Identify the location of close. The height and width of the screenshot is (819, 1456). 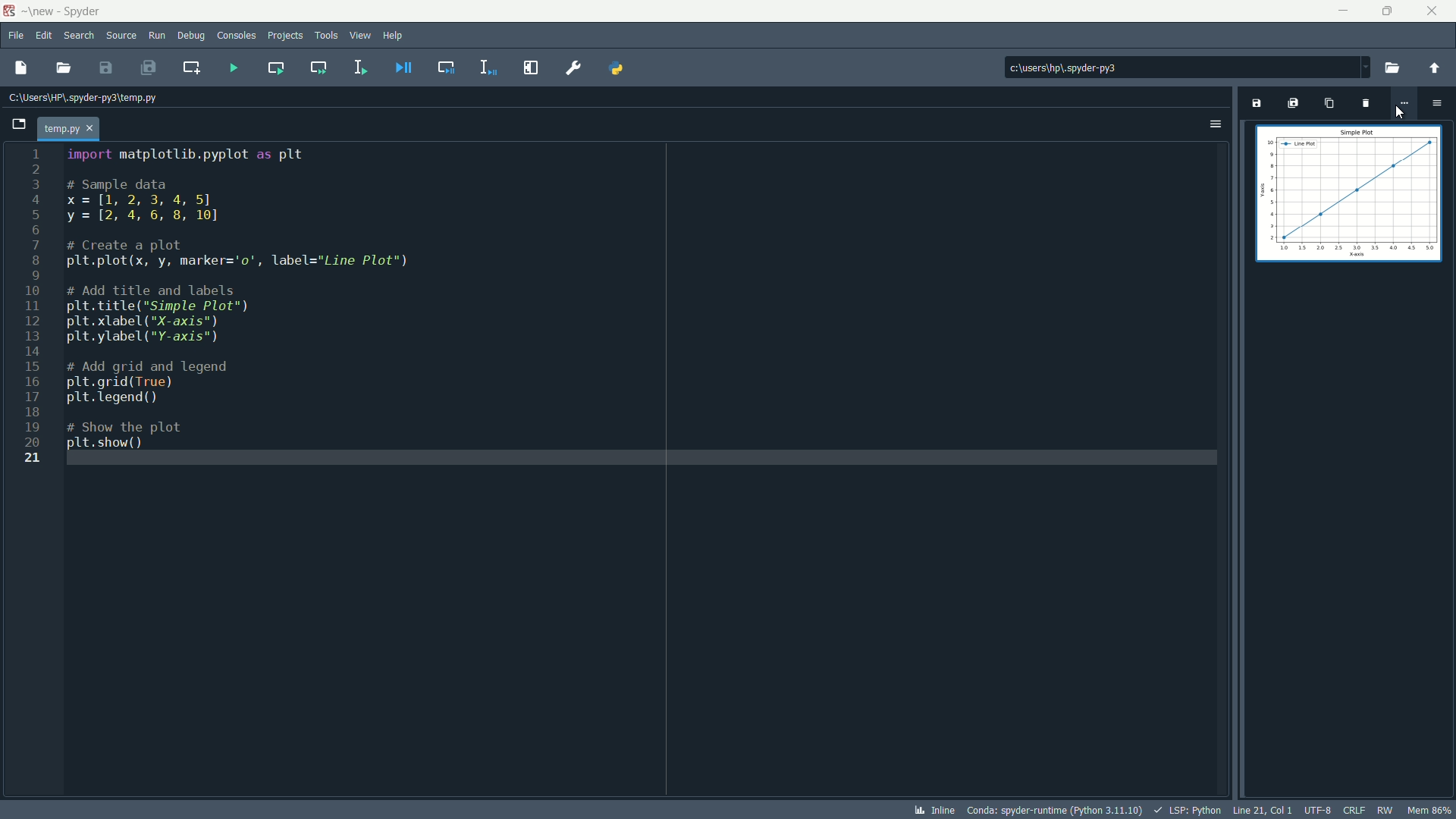
(71, 126).